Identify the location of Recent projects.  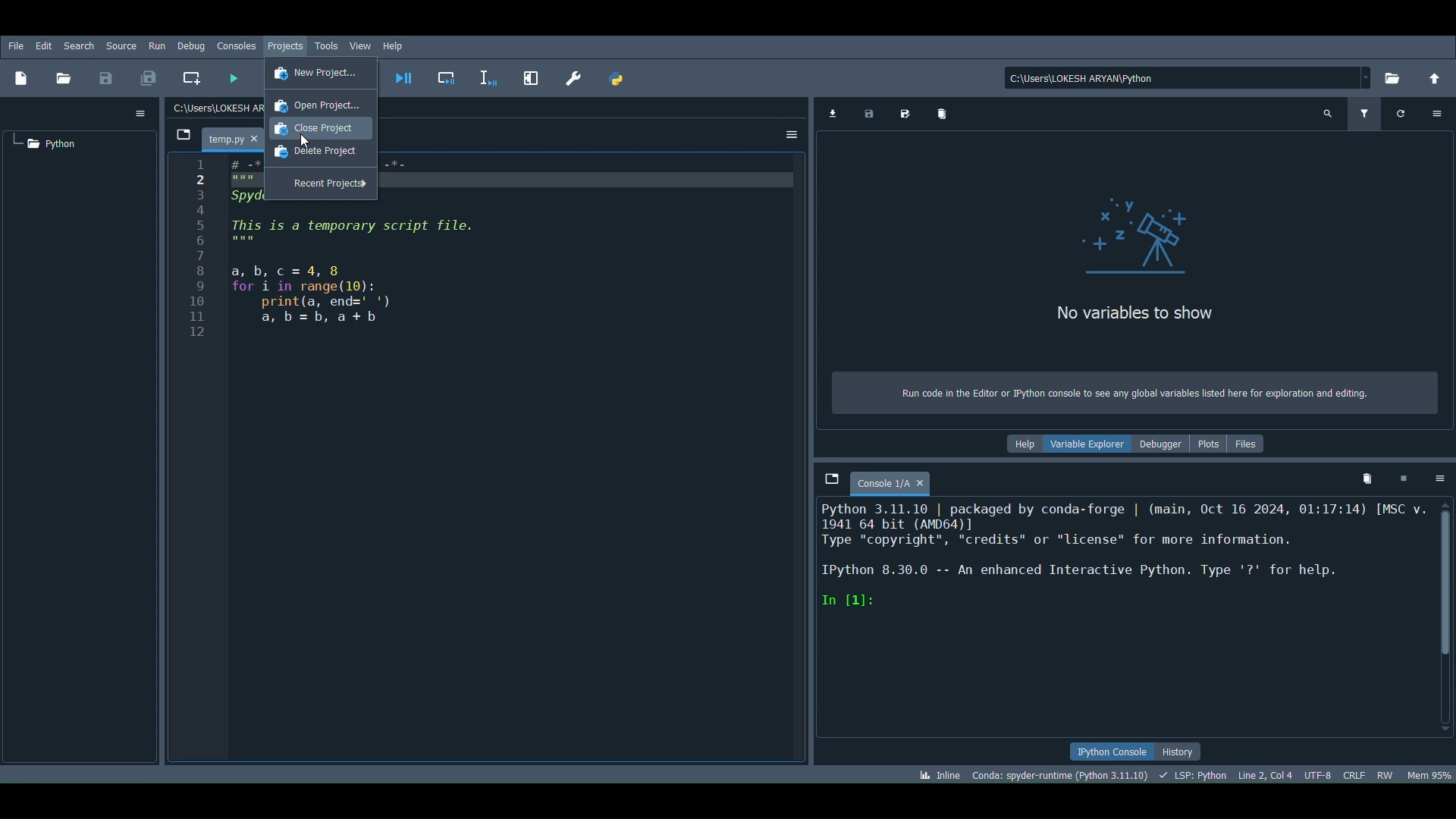
(319, 184).